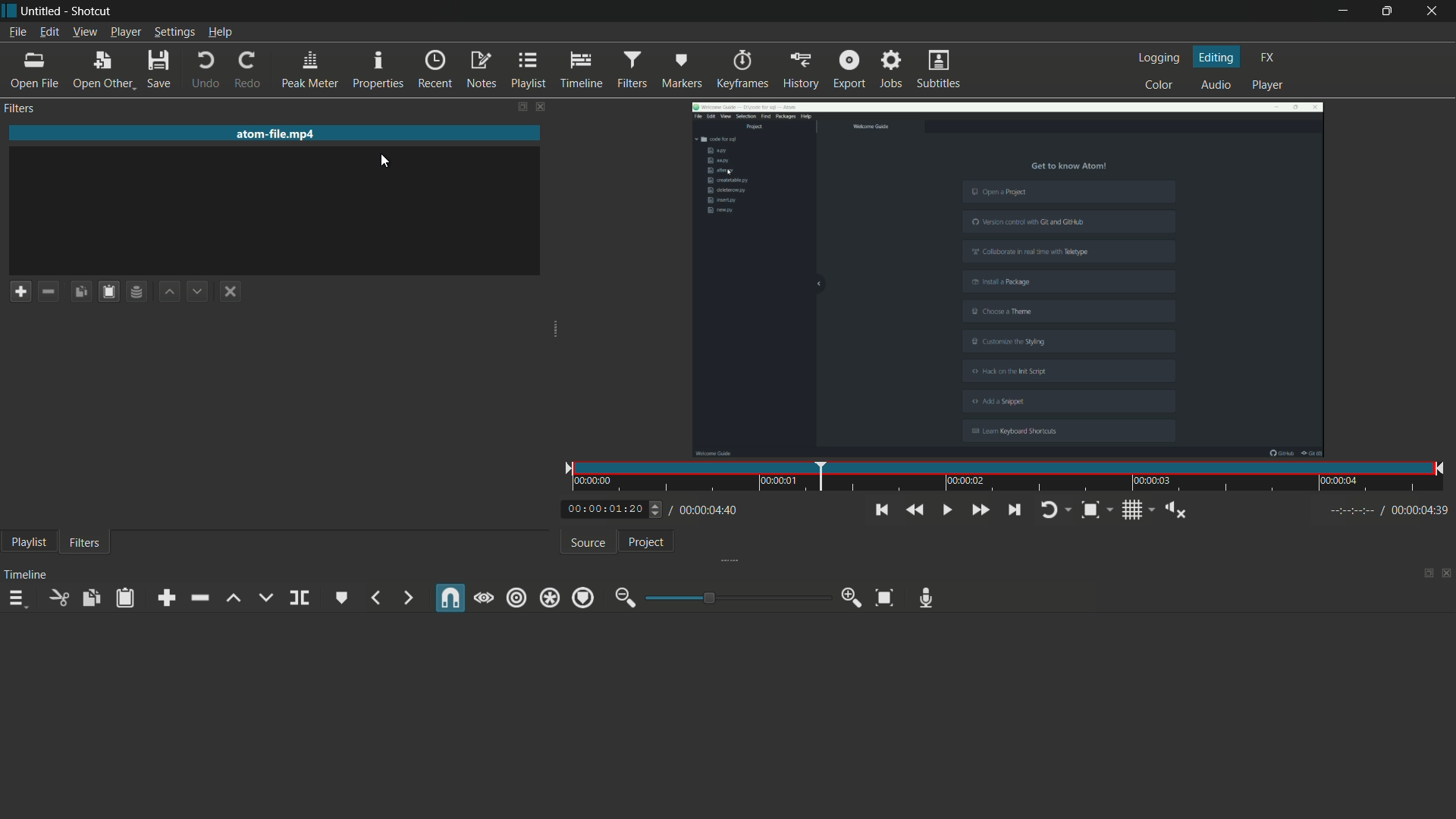 The width and height of the screenshot is (1456, 819). What do you see at coordinates (298, 597) in the screenshot?
I see `split at playhead` at bounding box center [298, 597].